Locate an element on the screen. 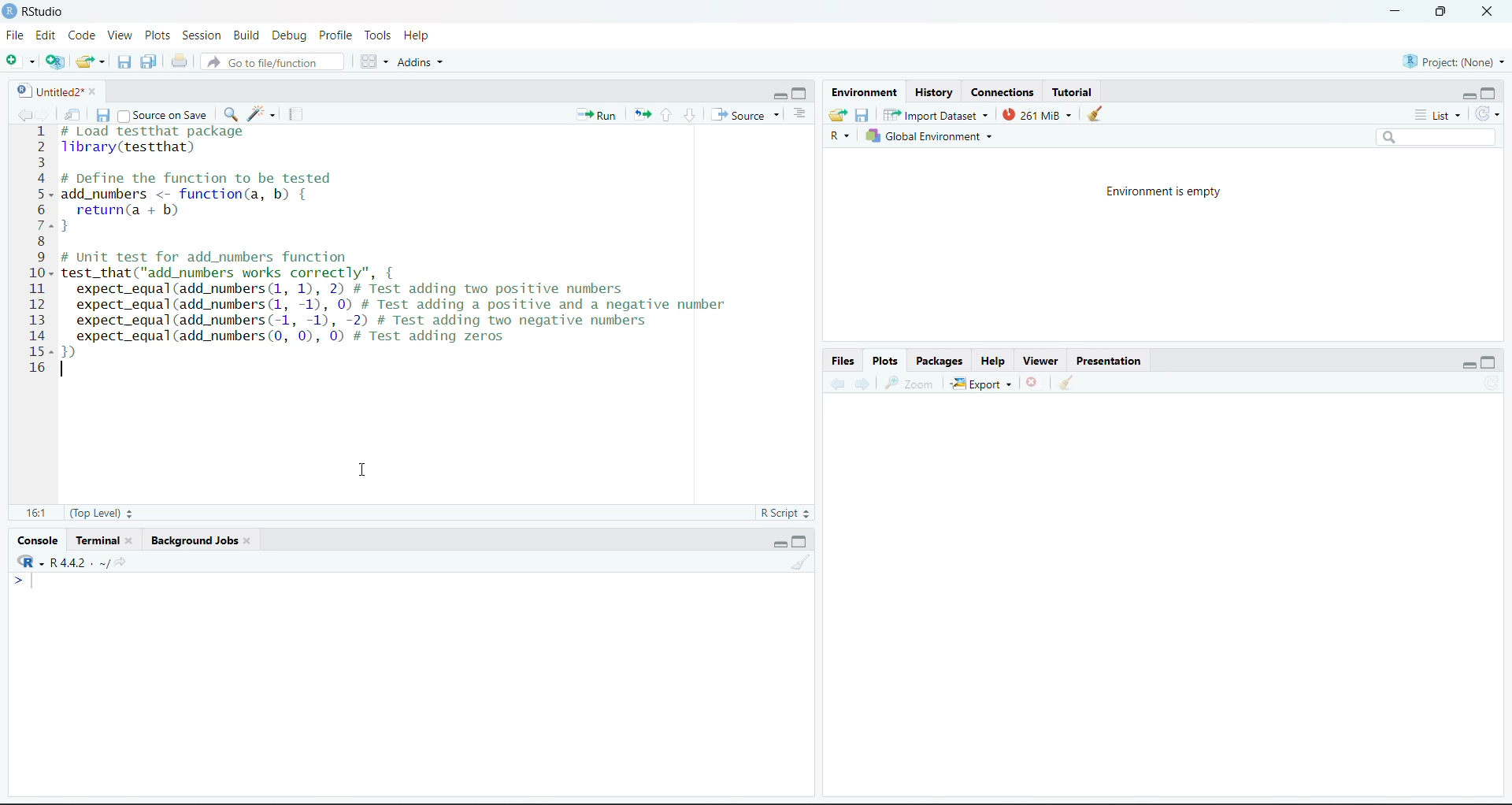 The width and height of the screenshot is (1512, 805). Source on save is located at coordinates (162, 116).